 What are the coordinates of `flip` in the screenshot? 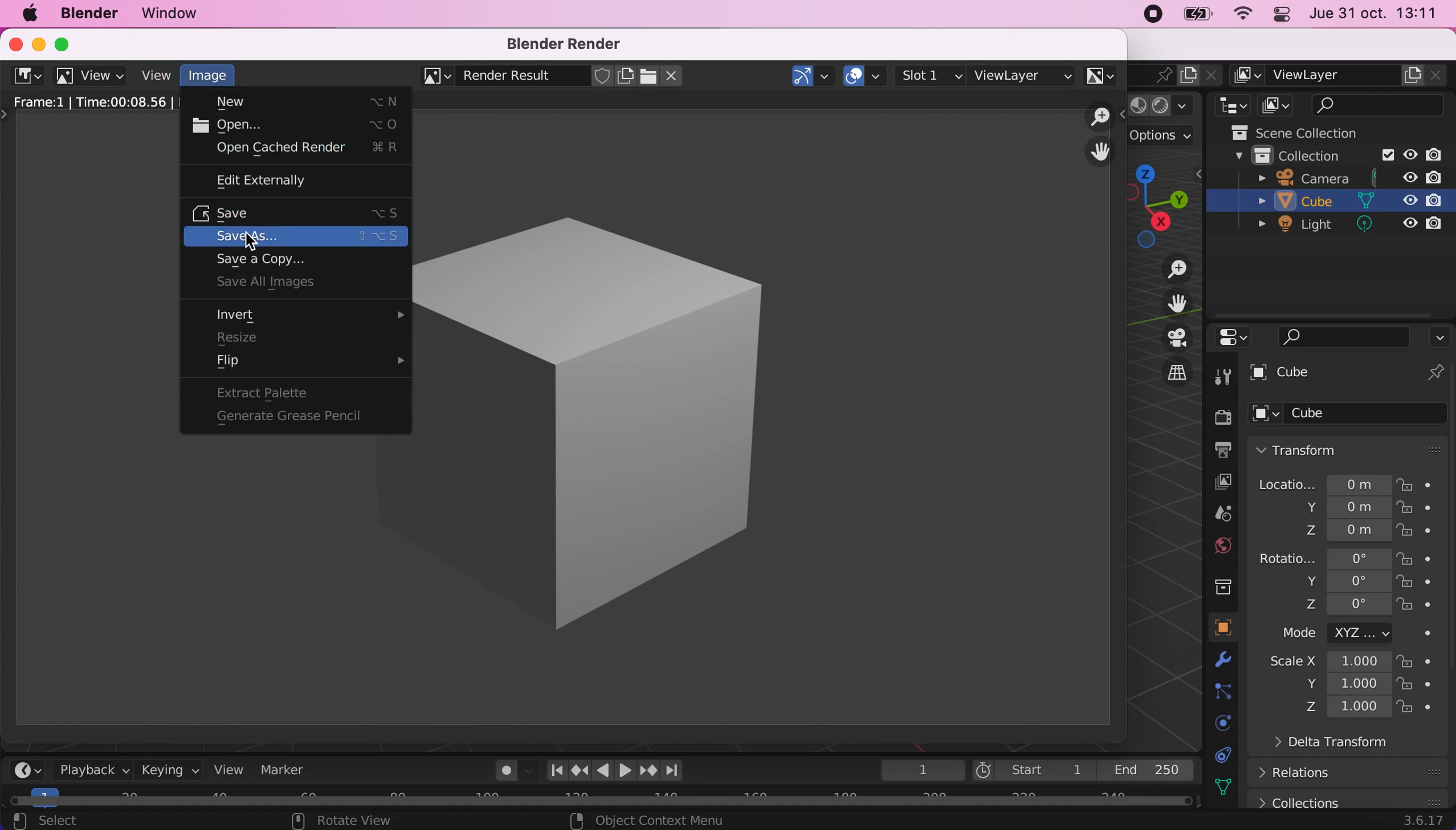 It's located at (305, 365).